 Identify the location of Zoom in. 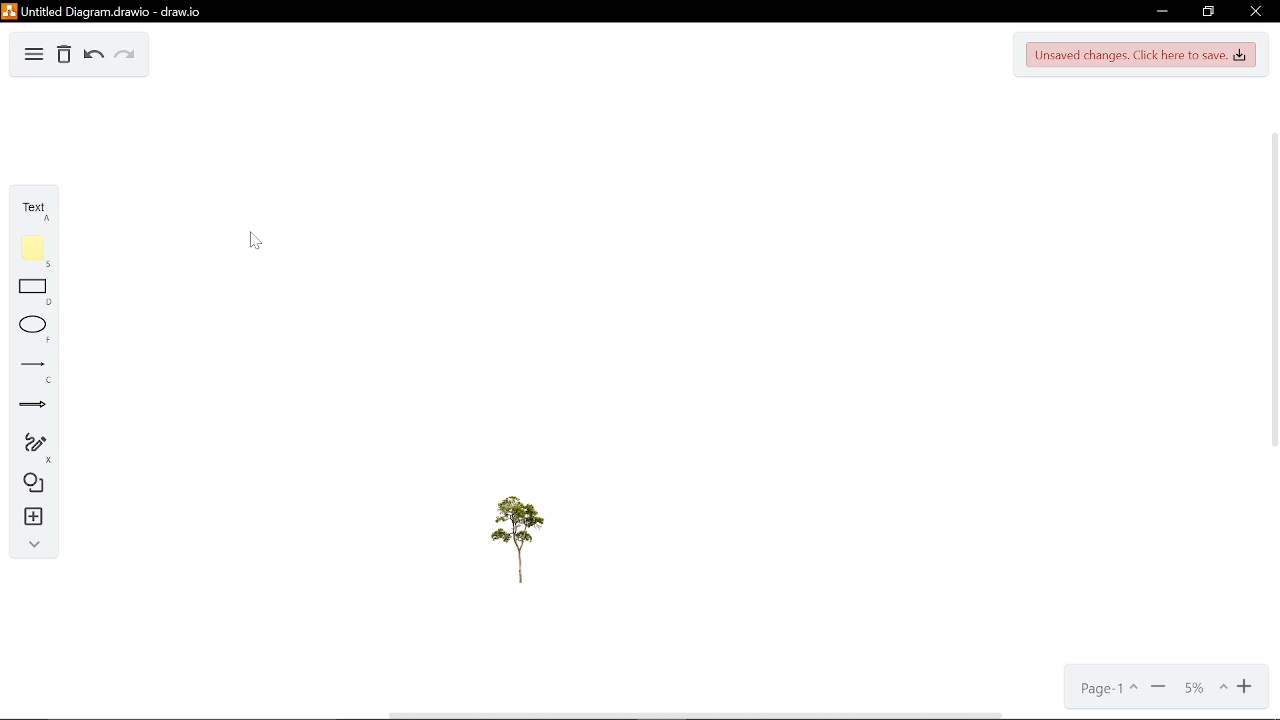
(1253, 690).